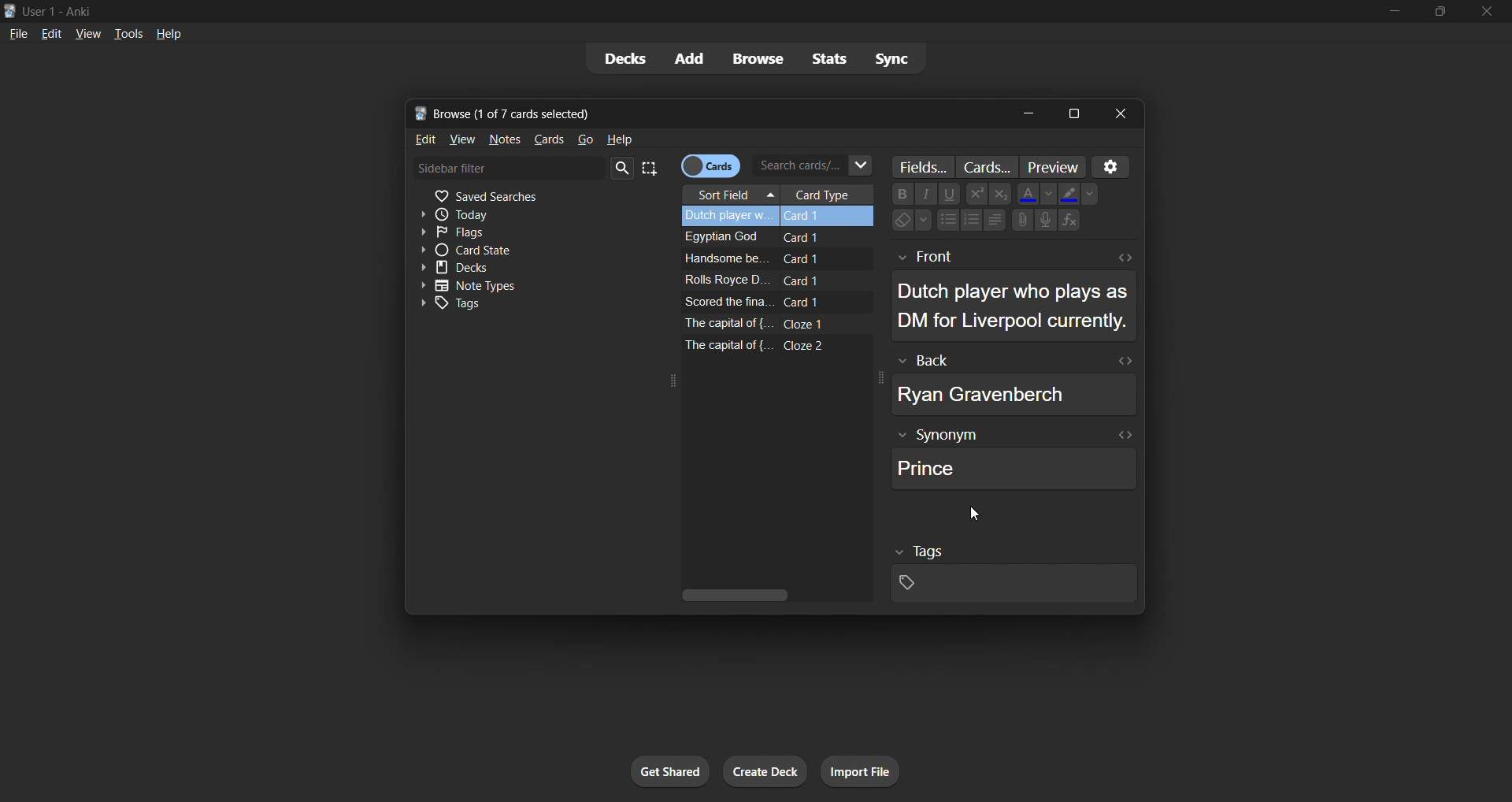  Describe the element at coordinates (462, 141) in the screenshot. I see `view` at that location.